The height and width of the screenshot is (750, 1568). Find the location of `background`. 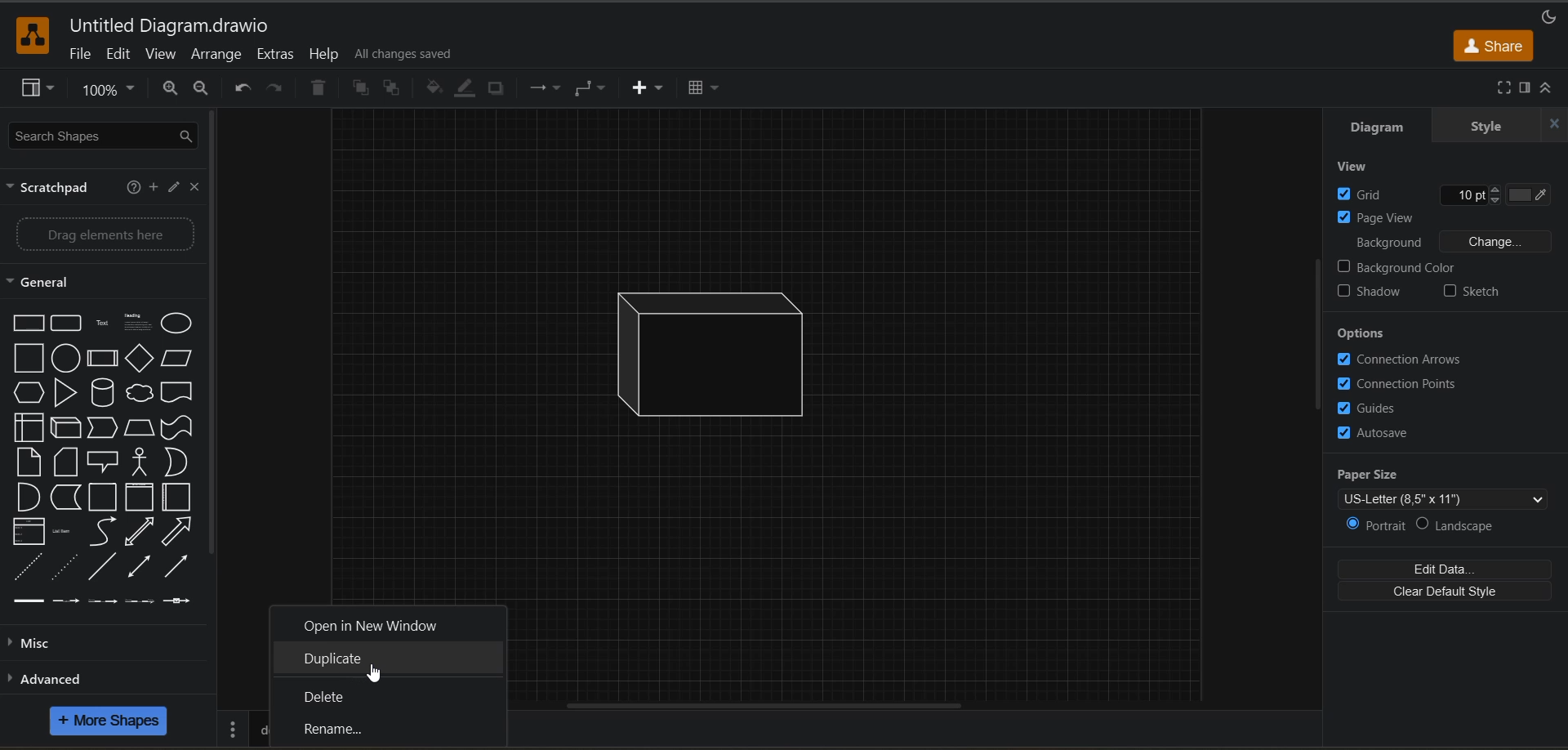

background is located at coordinates (1456, 242).